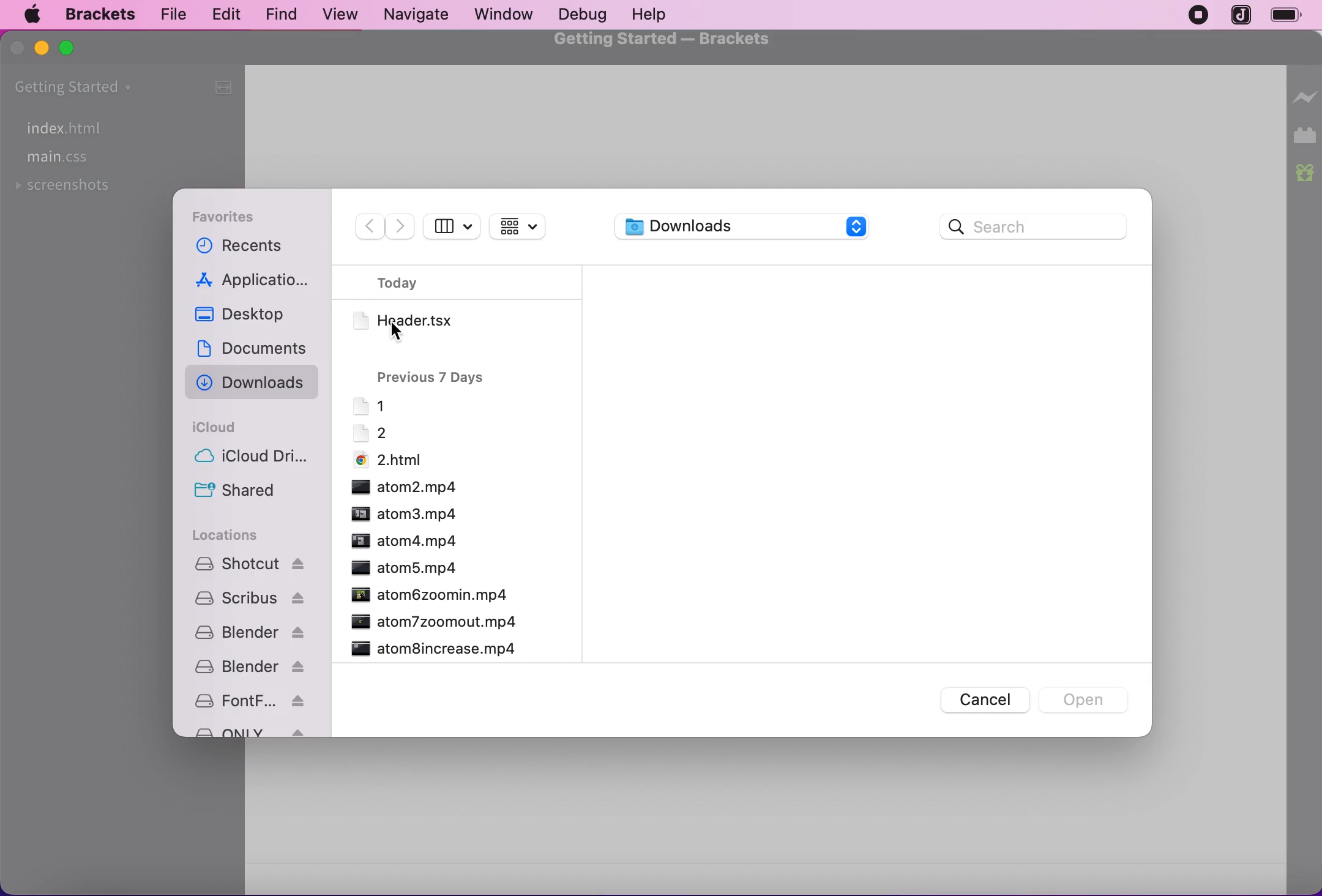  What do you see at coordinates (223, 425) in the screenshot?
I see `icloud` at bounding box center [223, 425].